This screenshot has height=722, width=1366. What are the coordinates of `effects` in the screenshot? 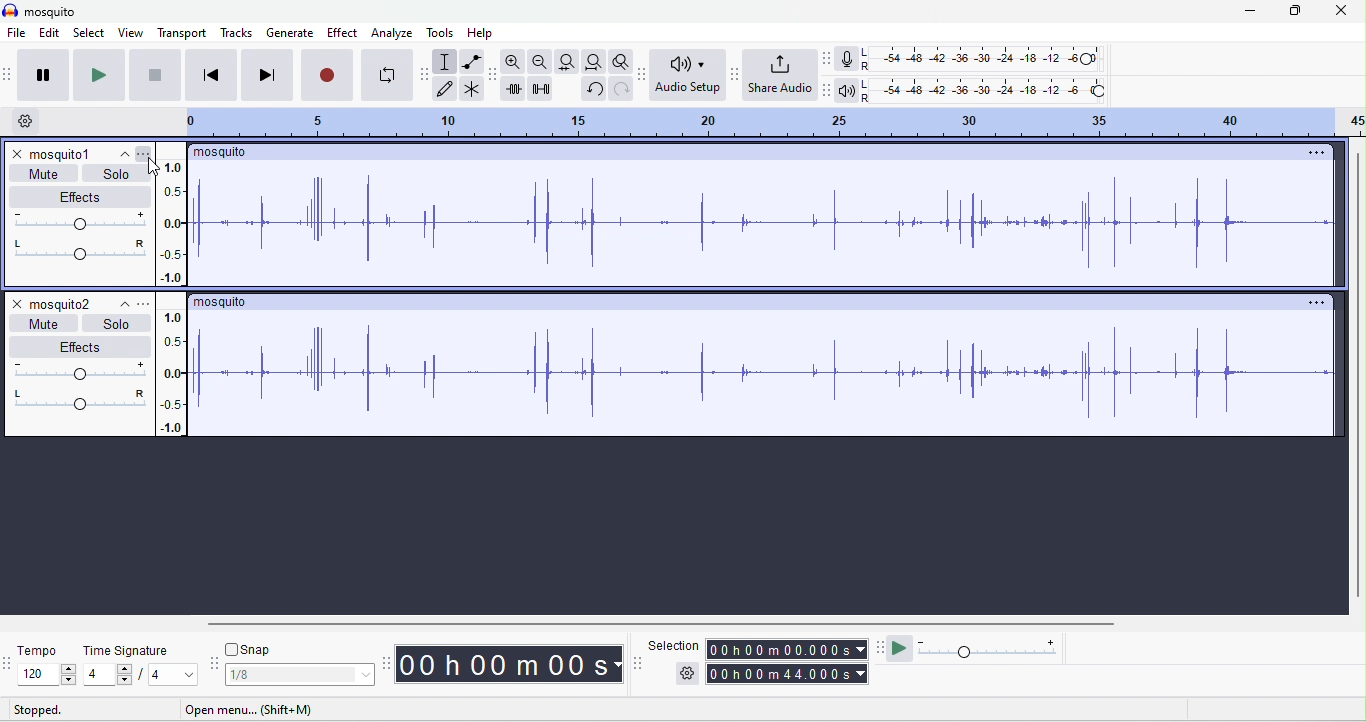 It's located at (82, 195).